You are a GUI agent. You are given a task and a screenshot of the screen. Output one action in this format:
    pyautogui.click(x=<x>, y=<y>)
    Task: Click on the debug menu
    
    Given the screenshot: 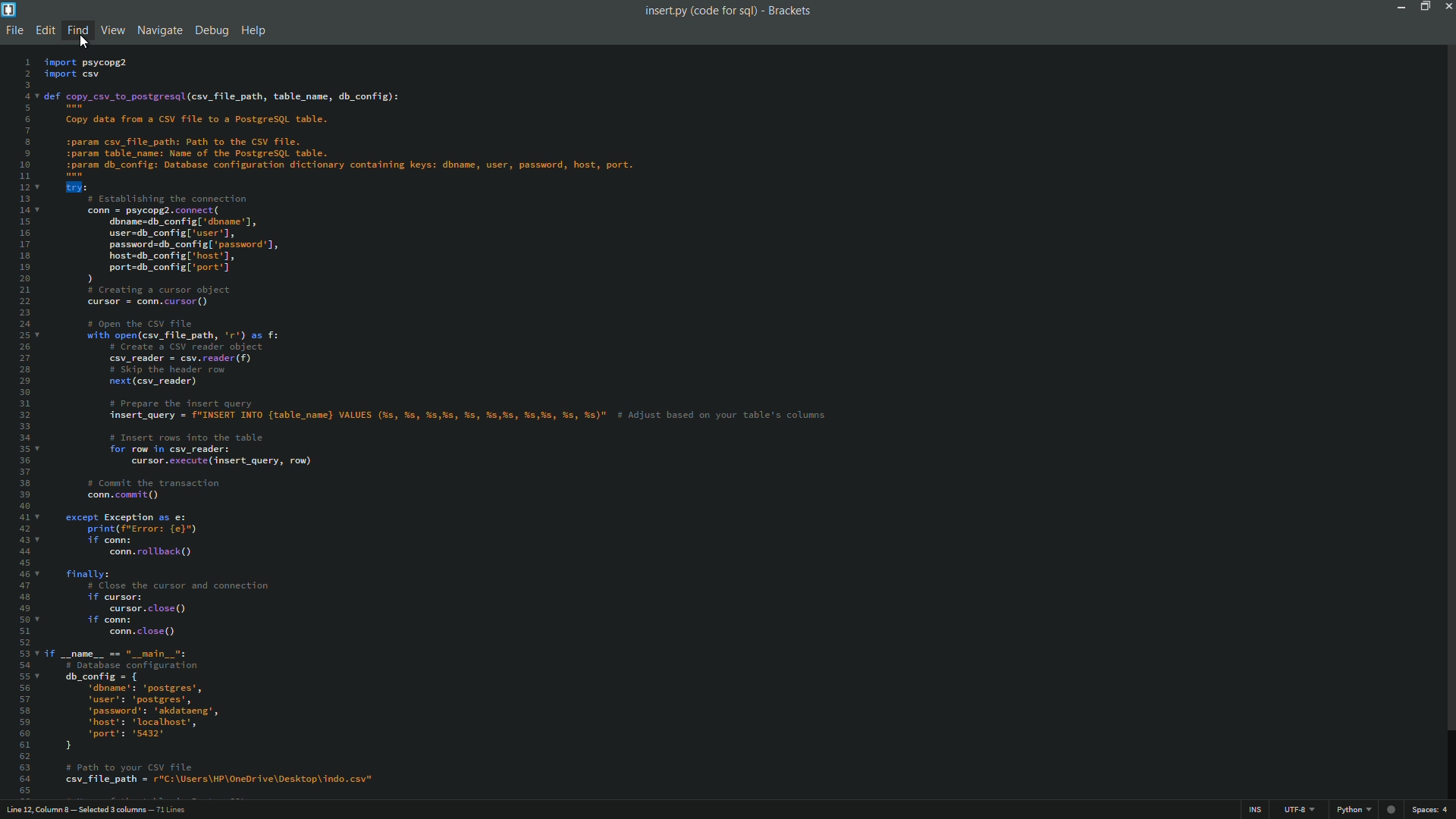 What is the action you would take?
    pyautogui.click(x=211, y=32)
    